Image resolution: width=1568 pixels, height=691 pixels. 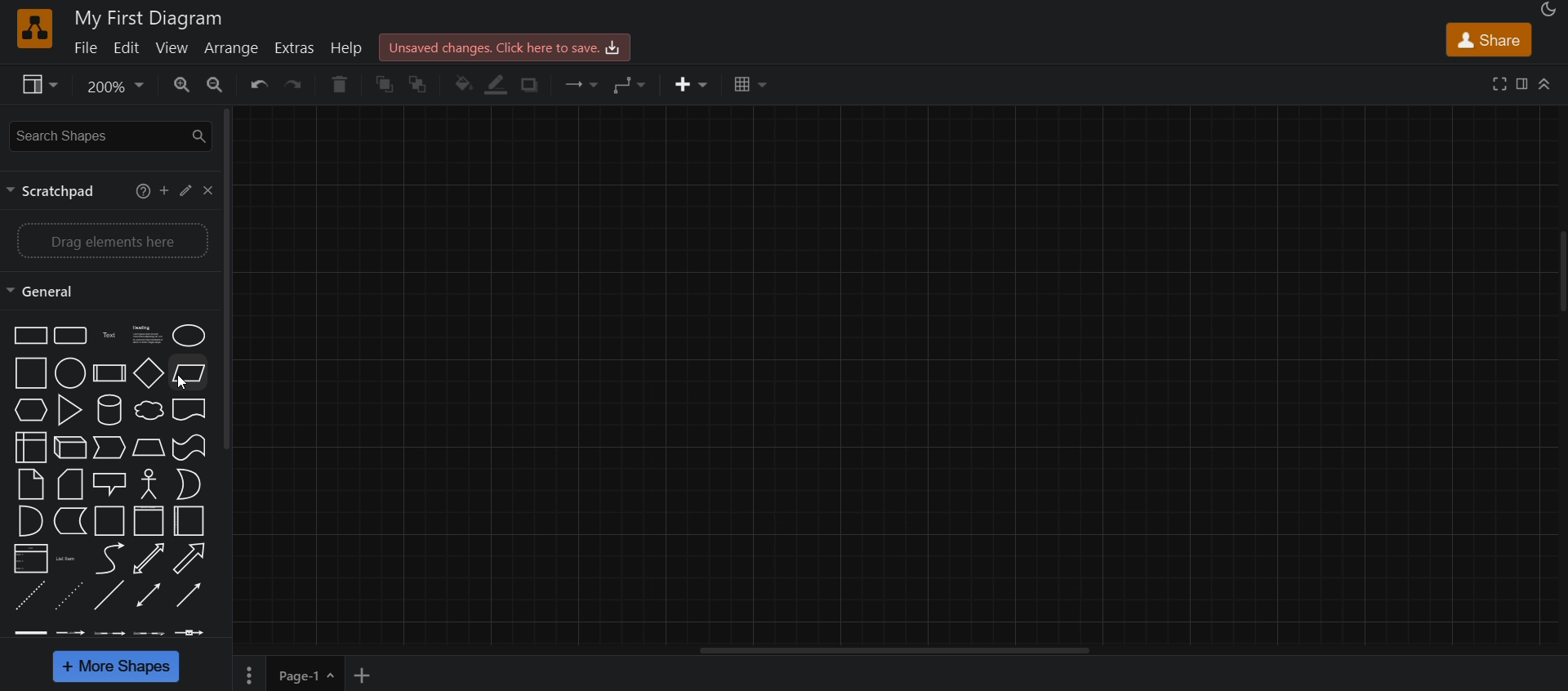 I want to click on table, so click(x=748, y=86).